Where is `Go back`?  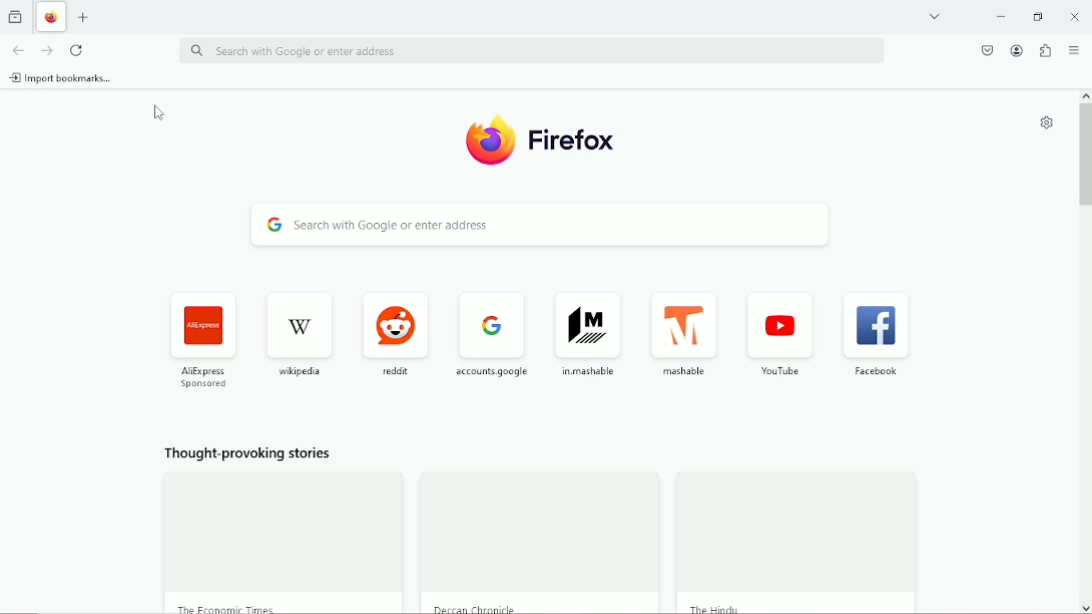 Go back is located at coordinates (18, 50).